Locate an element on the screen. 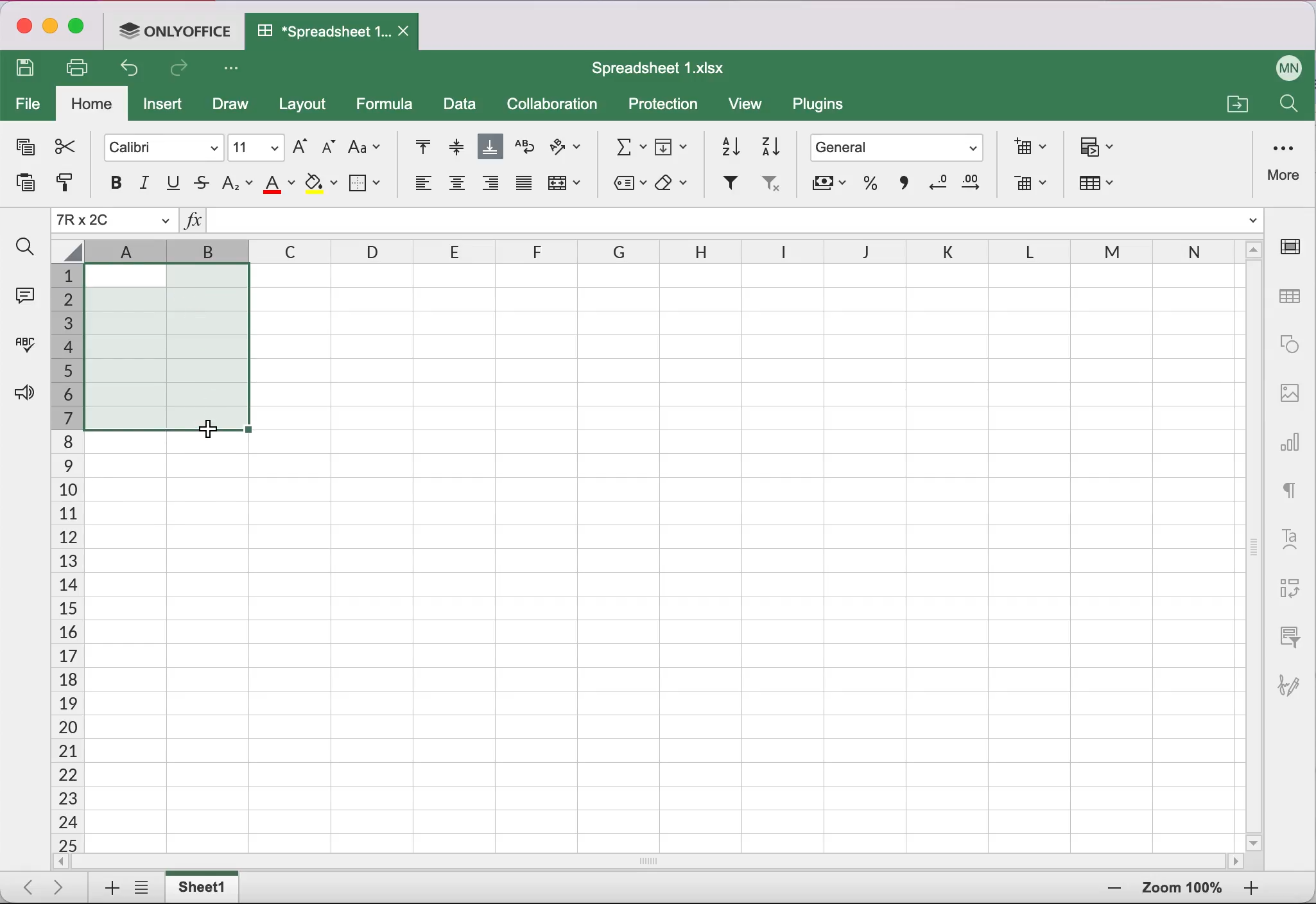 Image resolution: width=1316 pixels, height=904 pixels. paste is located at coordinates (21, 187).